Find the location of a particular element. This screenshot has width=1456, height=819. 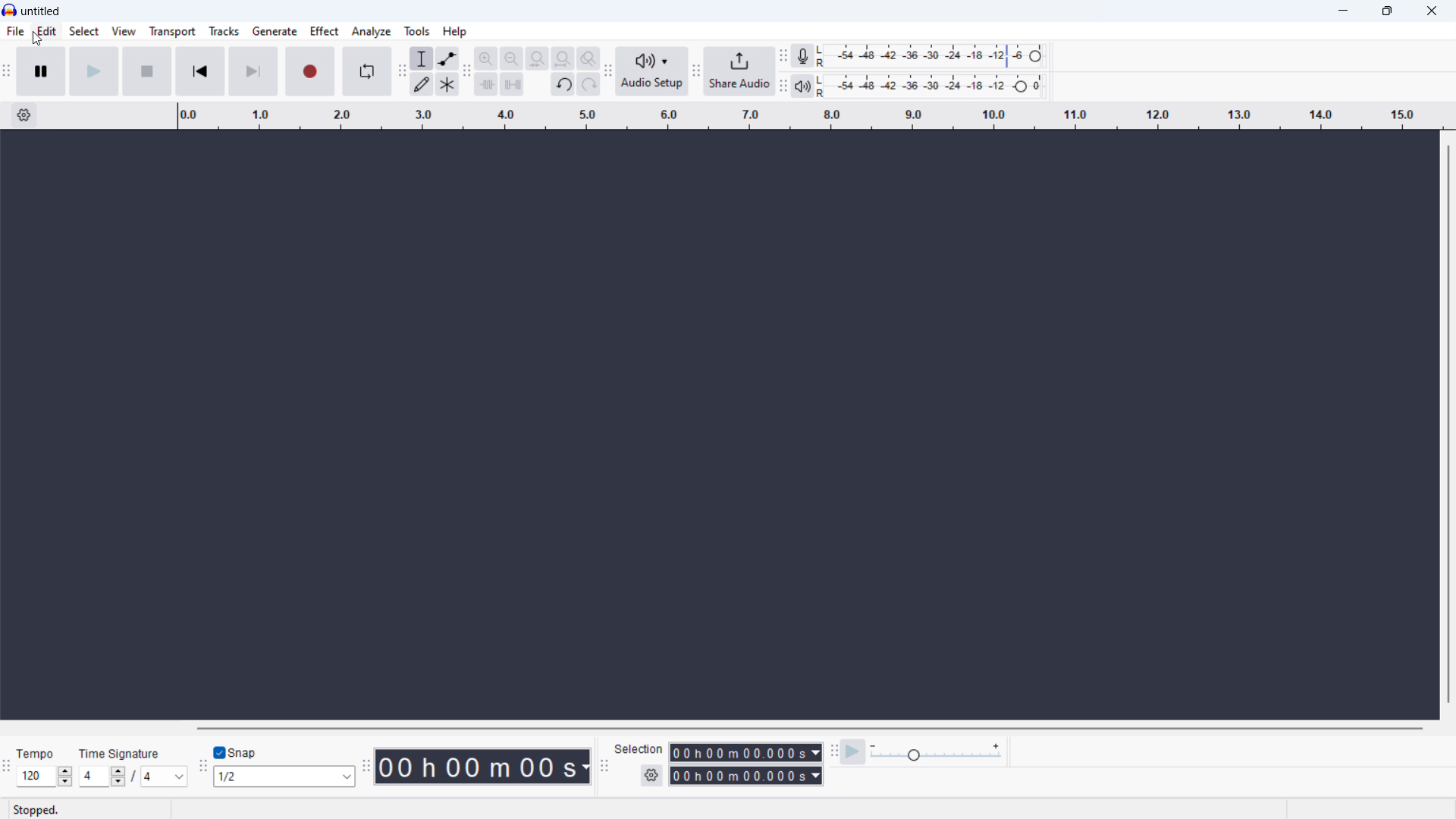

play at speed is located at coordinates (853, 752).